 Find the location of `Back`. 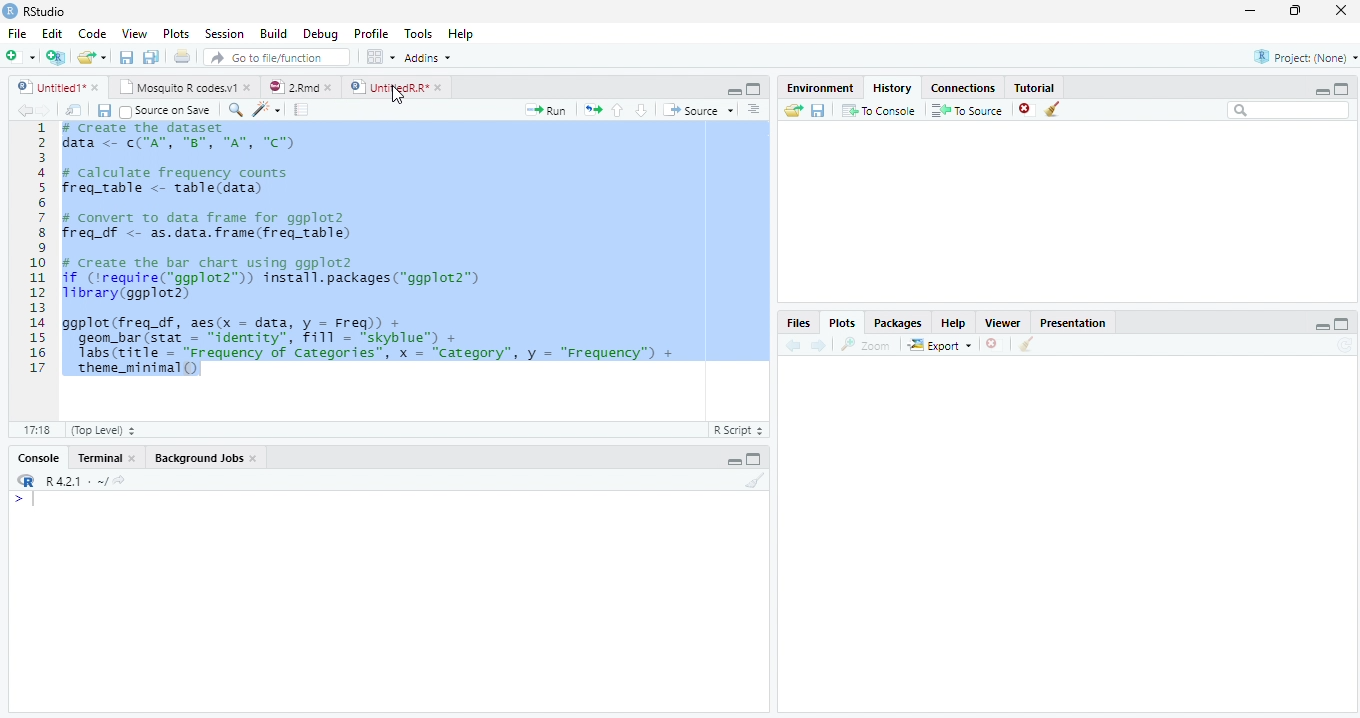

Back is located at coordinates (795, 345).